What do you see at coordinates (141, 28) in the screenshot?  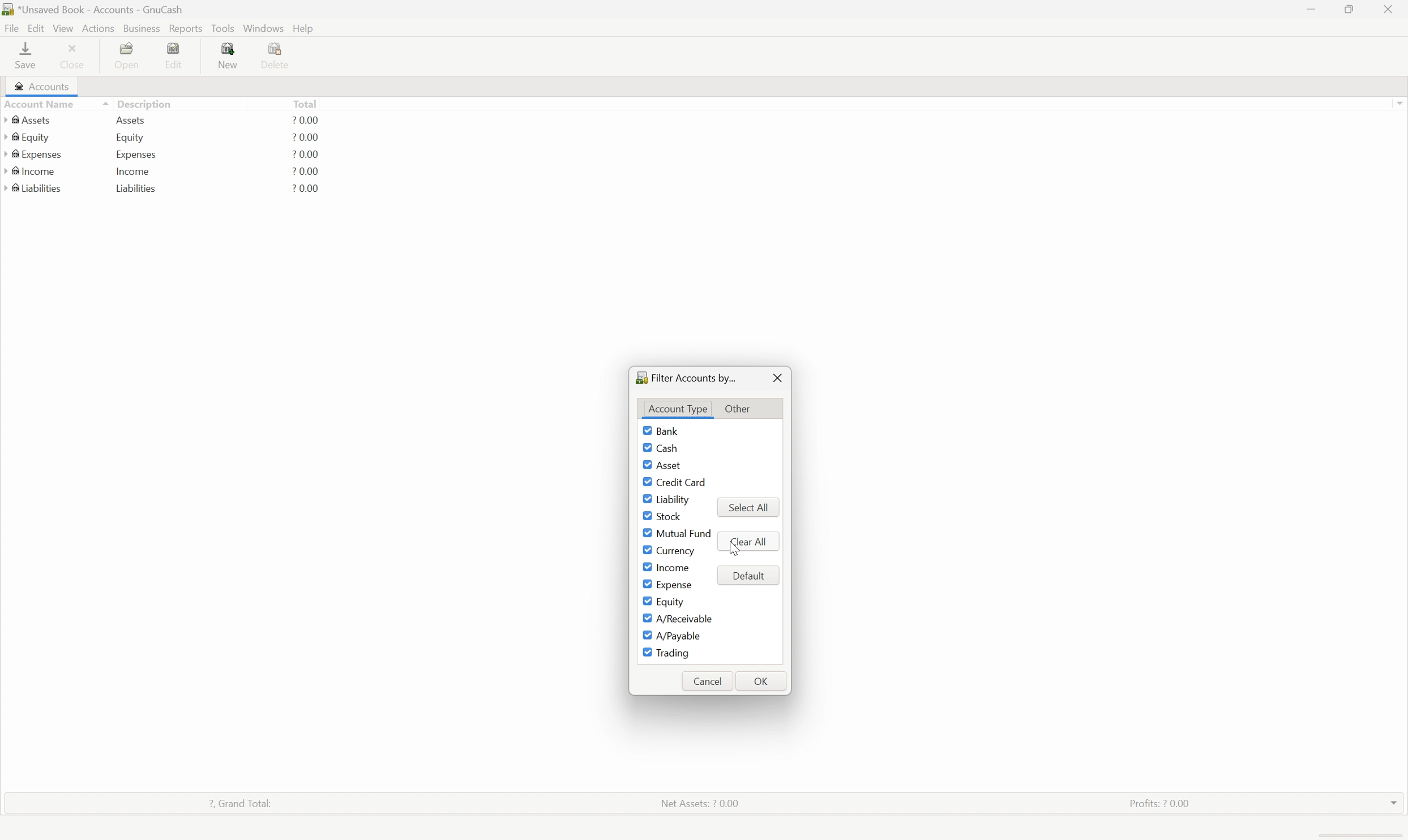 I see `Business` at bounding box center [141, 28].